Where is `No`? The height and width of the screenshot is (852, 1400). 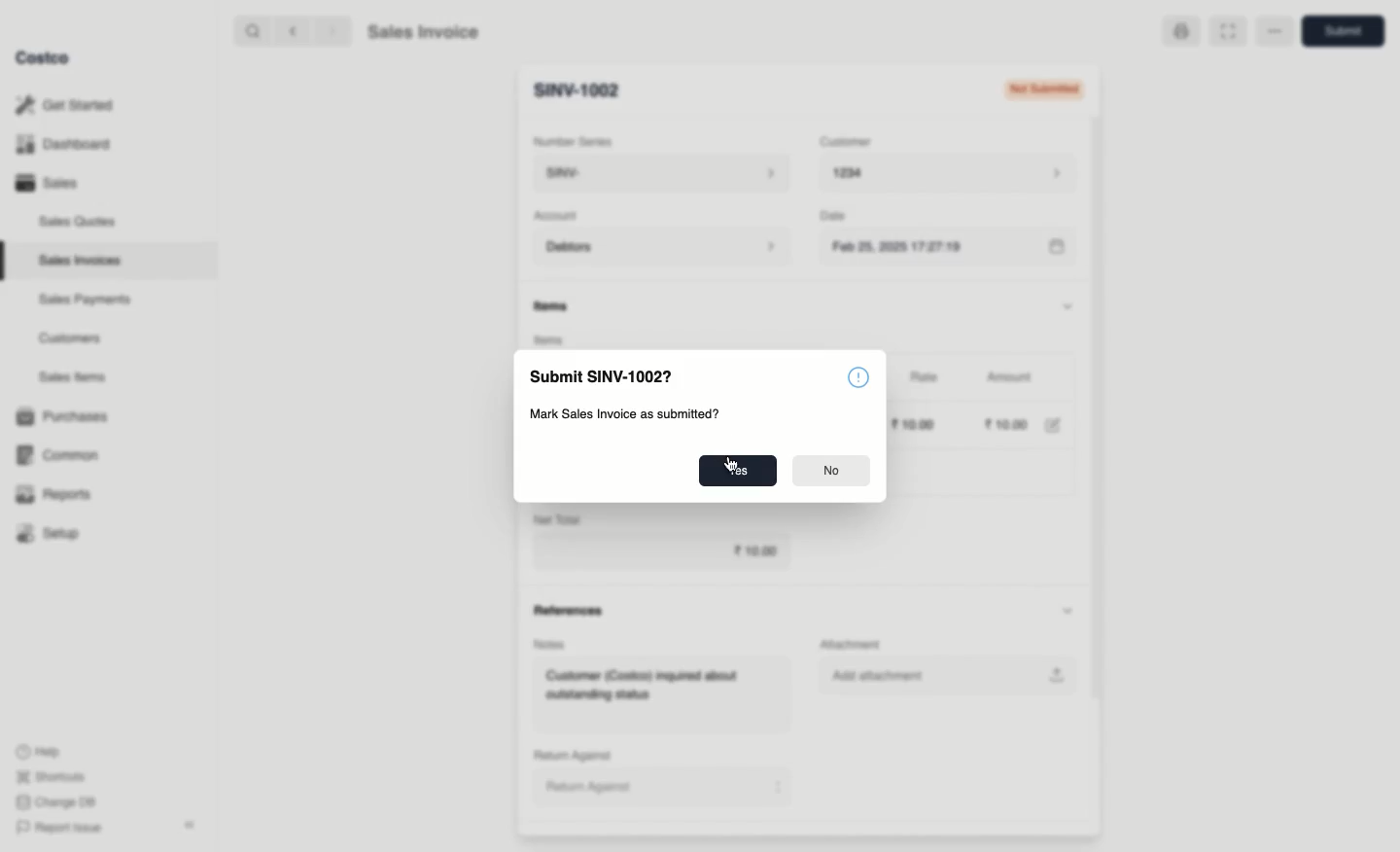
No is located at coordinates (832, 473).